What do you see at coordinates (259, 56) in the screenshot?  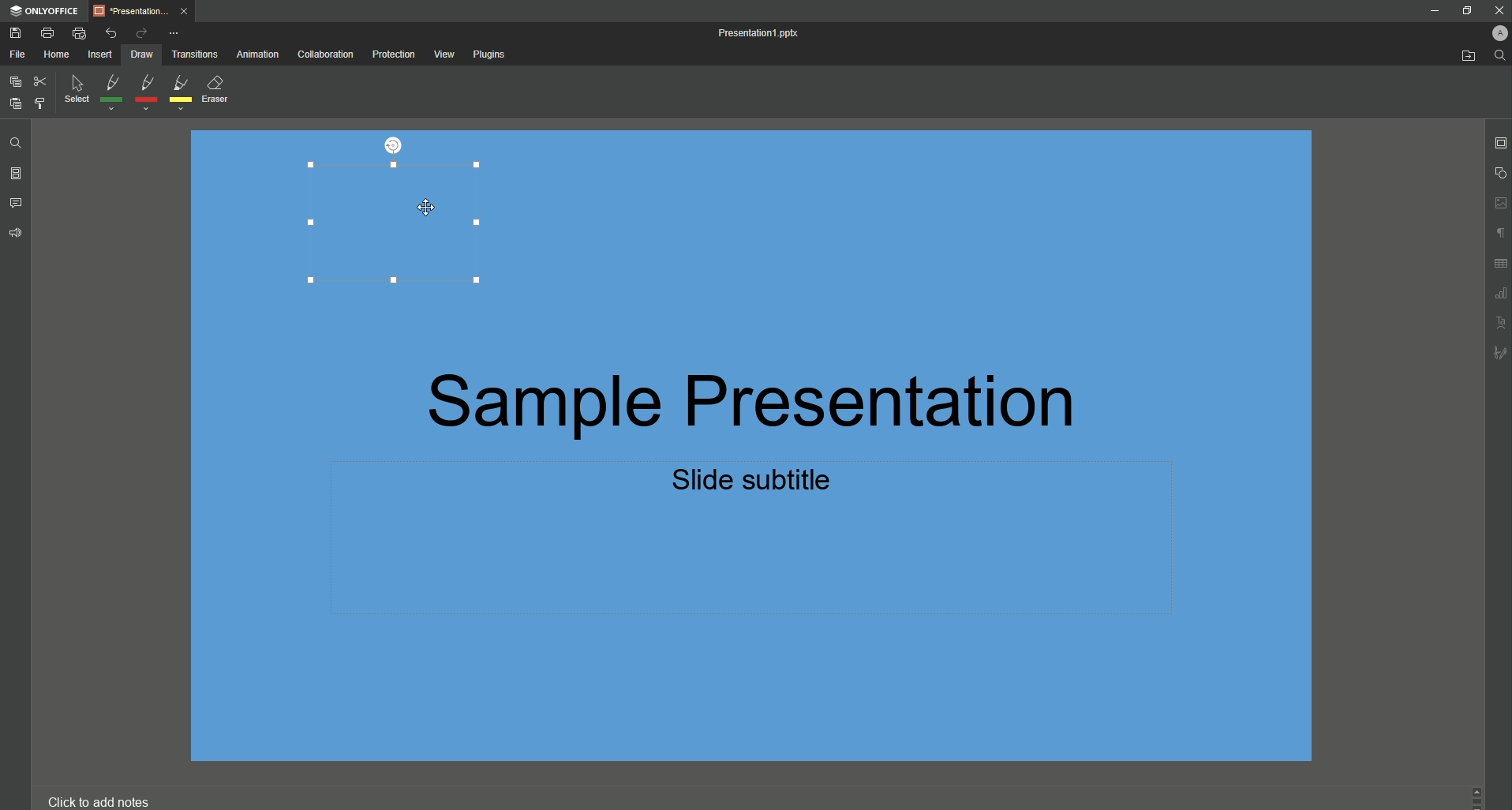 I see `Animation` at bounding box center [259, 56].